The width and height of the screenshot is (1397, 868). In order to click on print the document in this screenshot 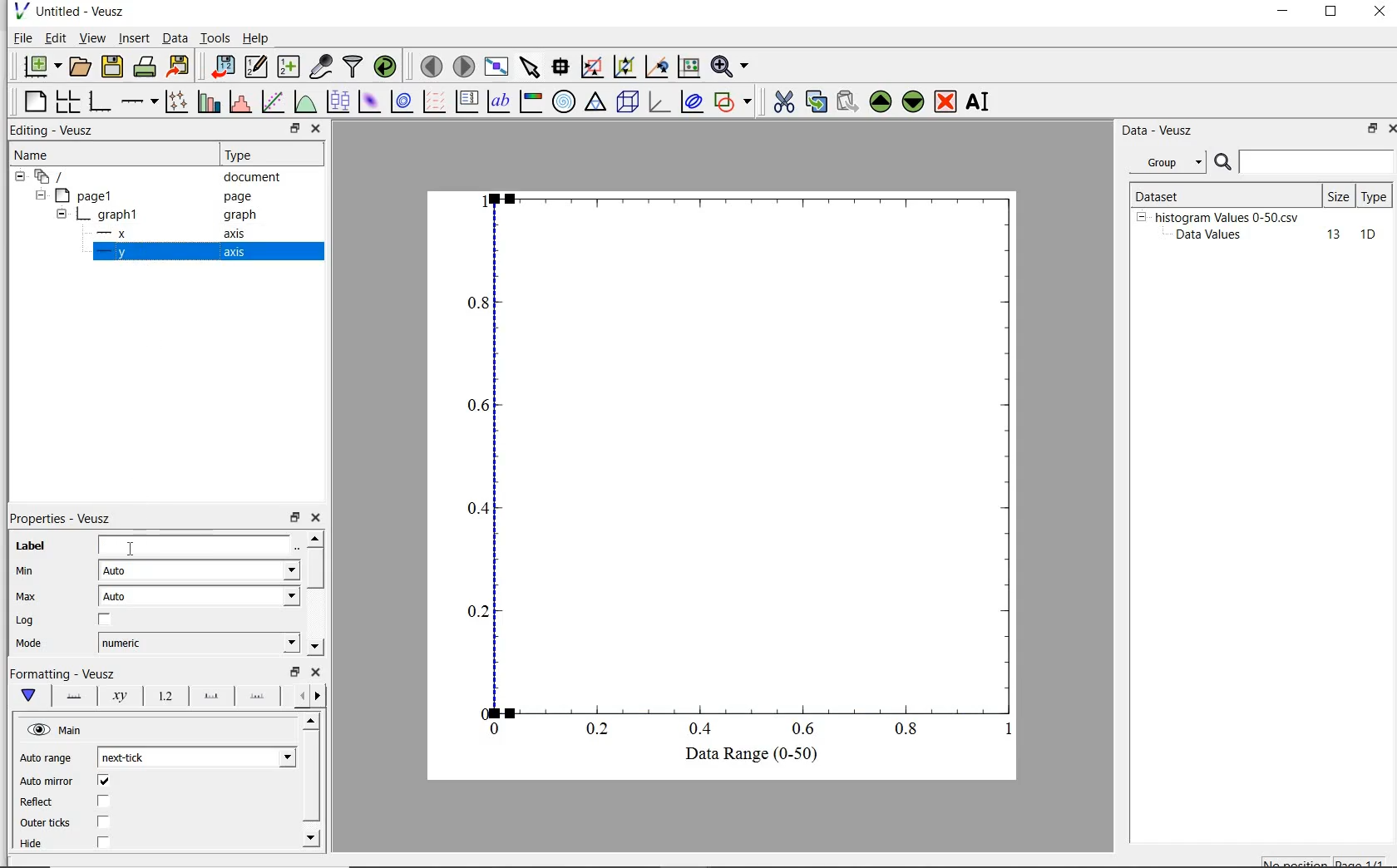, I will do `click(146, 65)`.